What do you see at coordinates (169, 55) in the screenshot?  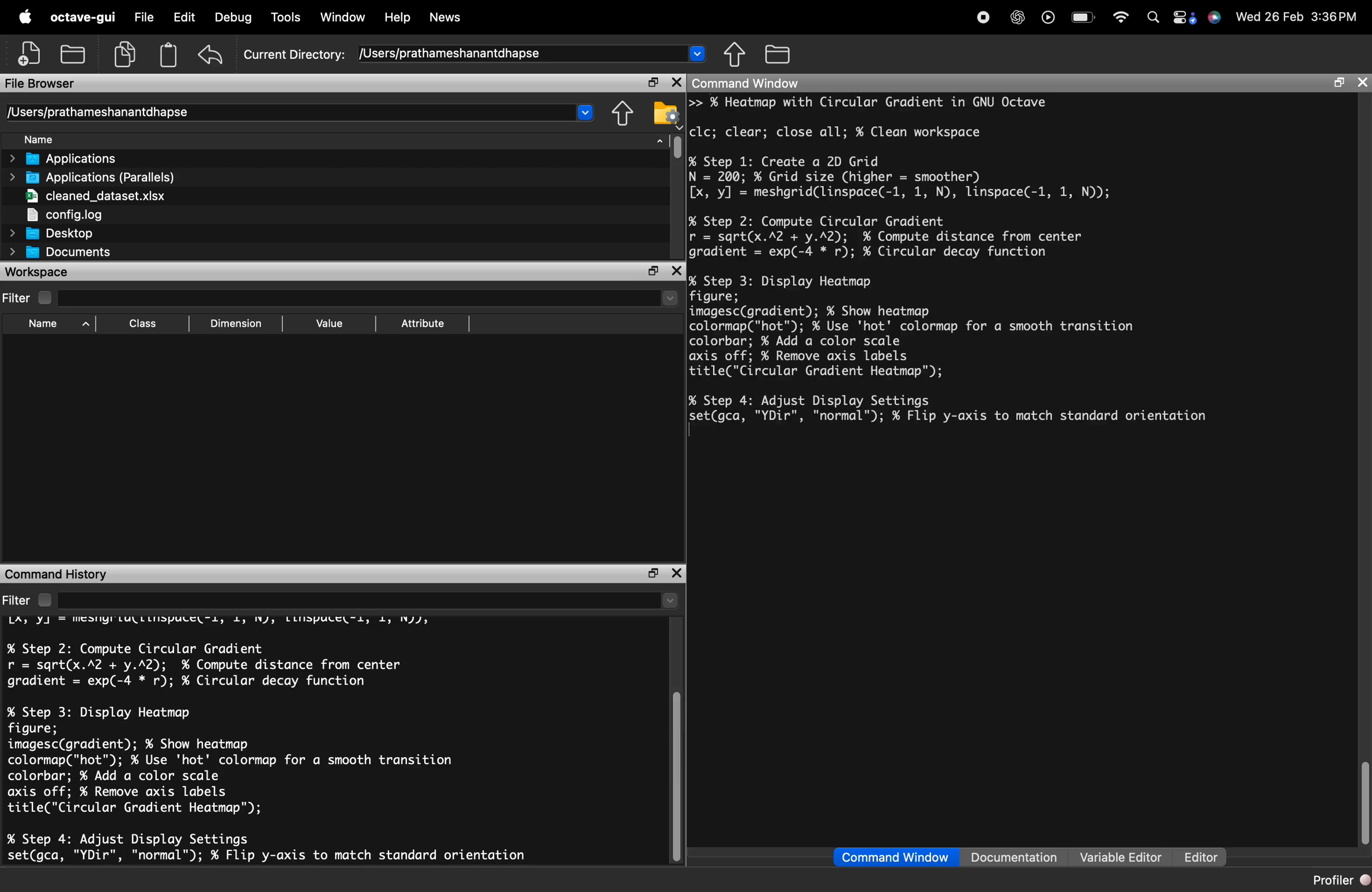 I see `paste` at bounding box center [169, 55].